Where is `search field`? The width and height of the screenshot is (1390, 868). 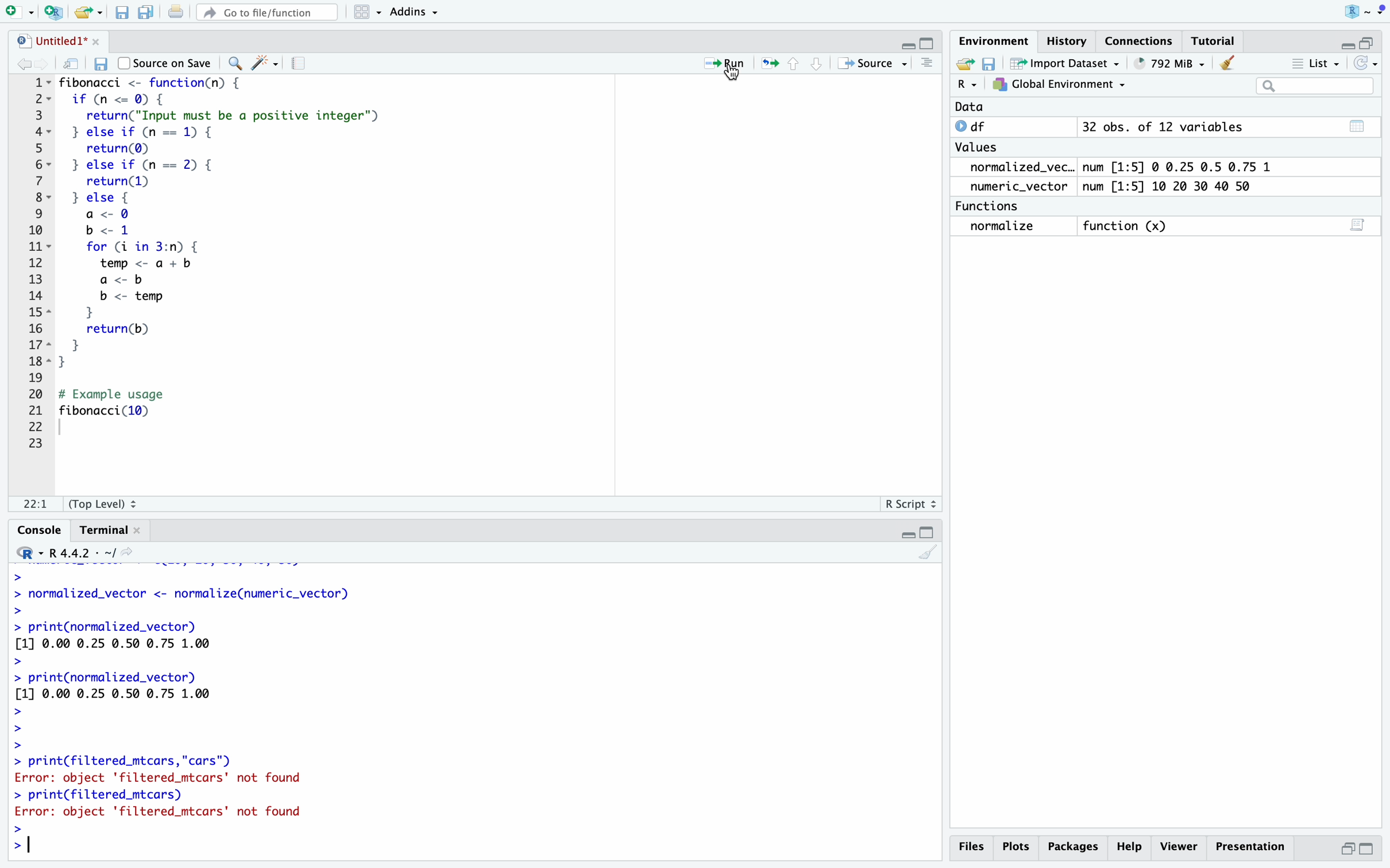 search field is located at coordinates (1319, 86).